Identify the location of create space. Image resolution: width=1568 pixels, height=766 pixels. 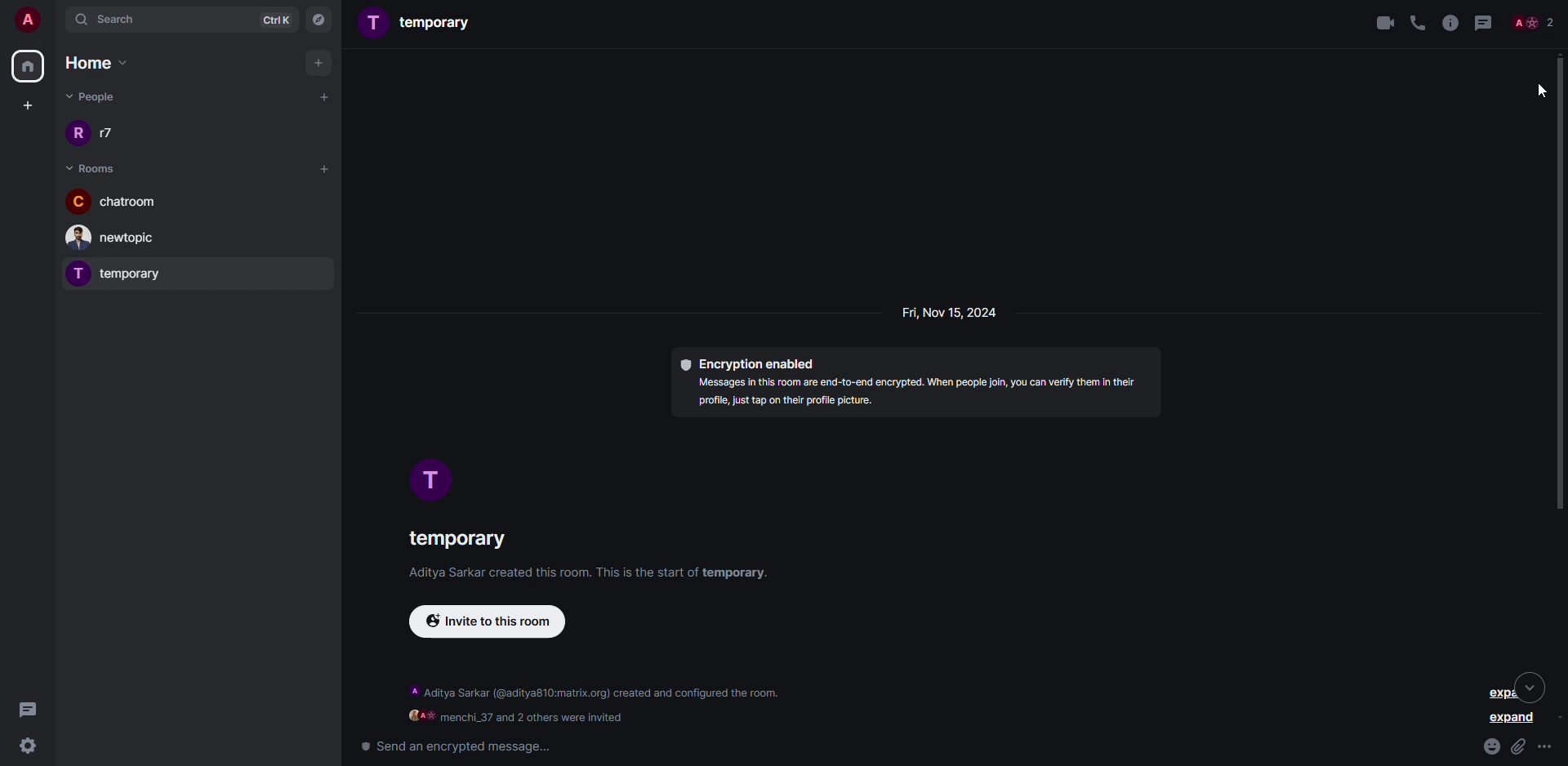
(28, 104).